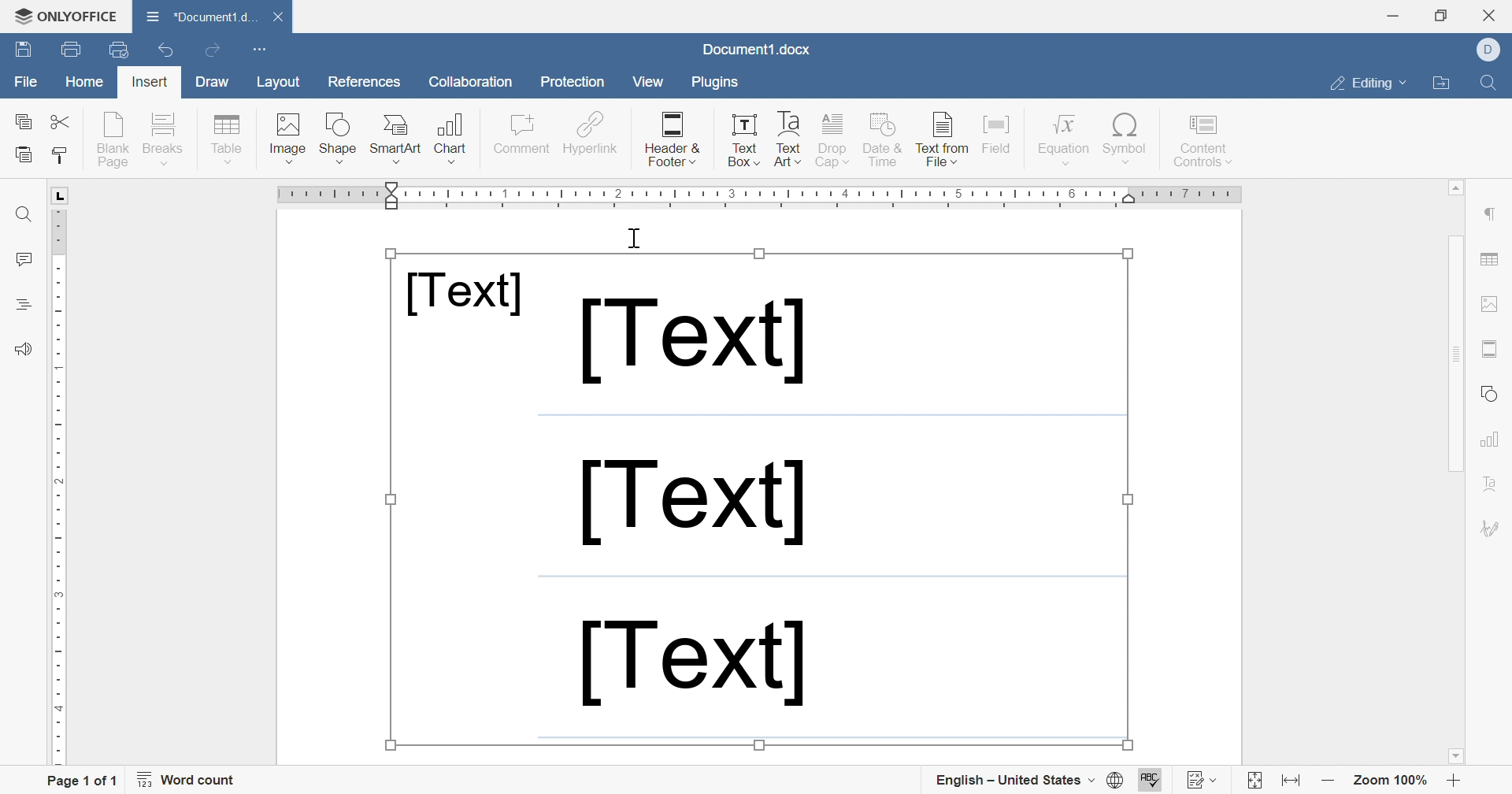 The height and width of the screenshot is (794, 1512). What do you see at coordinates (282, 15) in the screenshot?
I see `Close` at bounding box center [282, 15].